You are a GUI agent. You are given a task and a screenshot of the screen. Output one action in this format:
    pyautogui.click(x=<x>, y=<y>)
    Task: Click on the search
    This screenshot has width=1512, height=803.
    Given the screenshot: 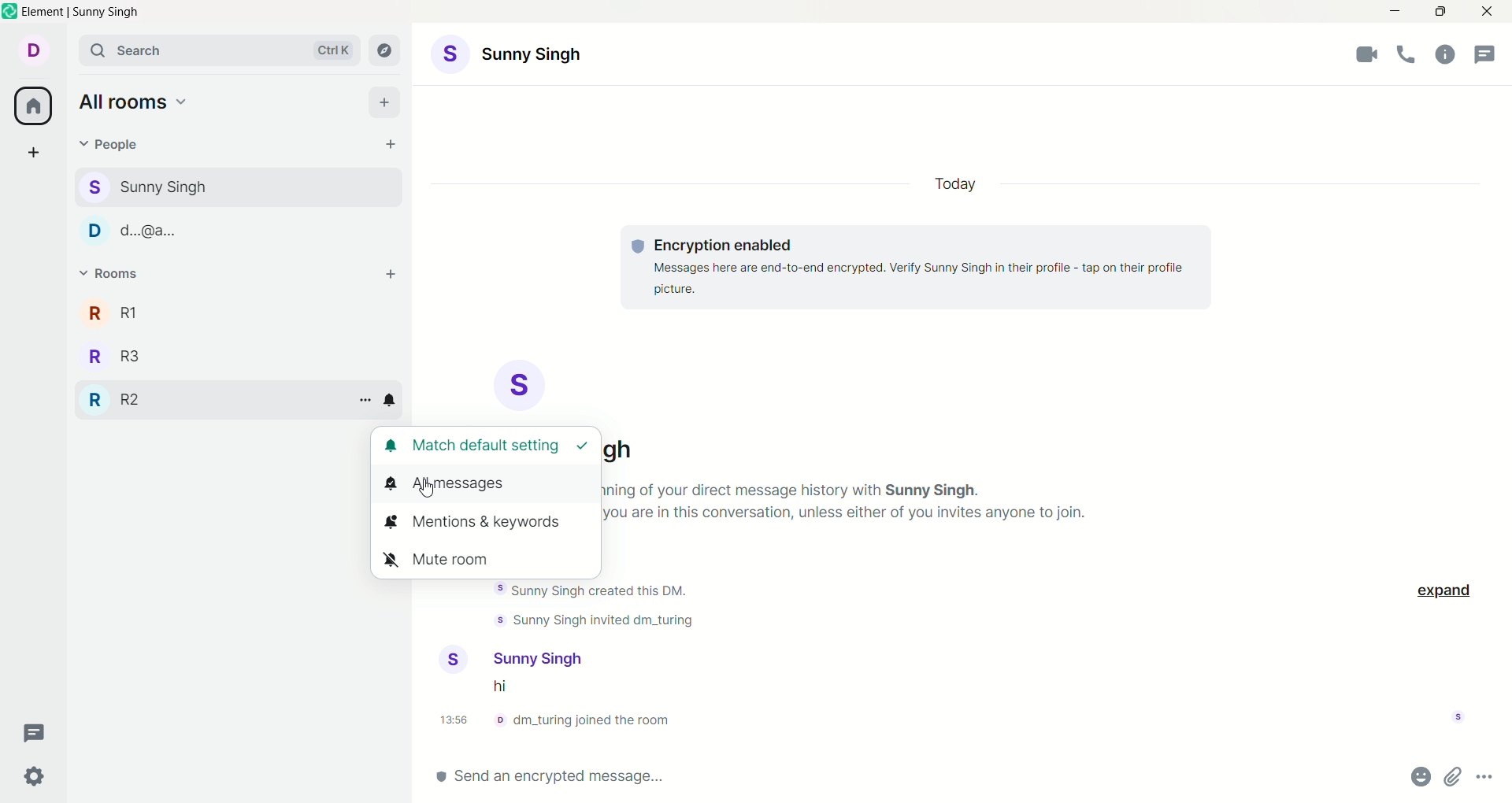 What is the action you would take?
    pyautogui.click(x=220, y=52)
    